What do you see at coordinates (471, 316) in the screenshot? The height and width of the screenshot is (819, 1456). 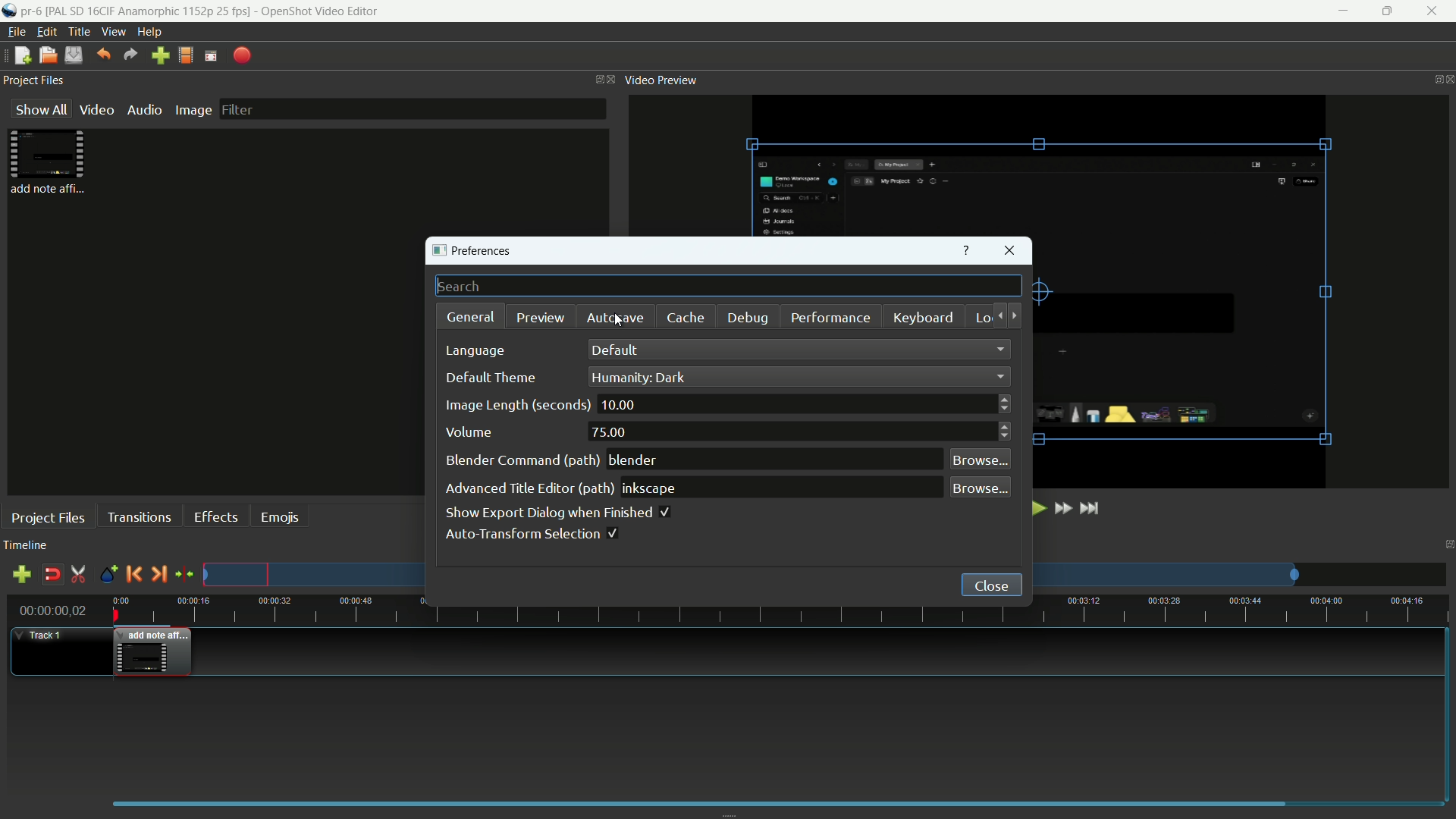 I see `general` at bounding box center [471, 316].